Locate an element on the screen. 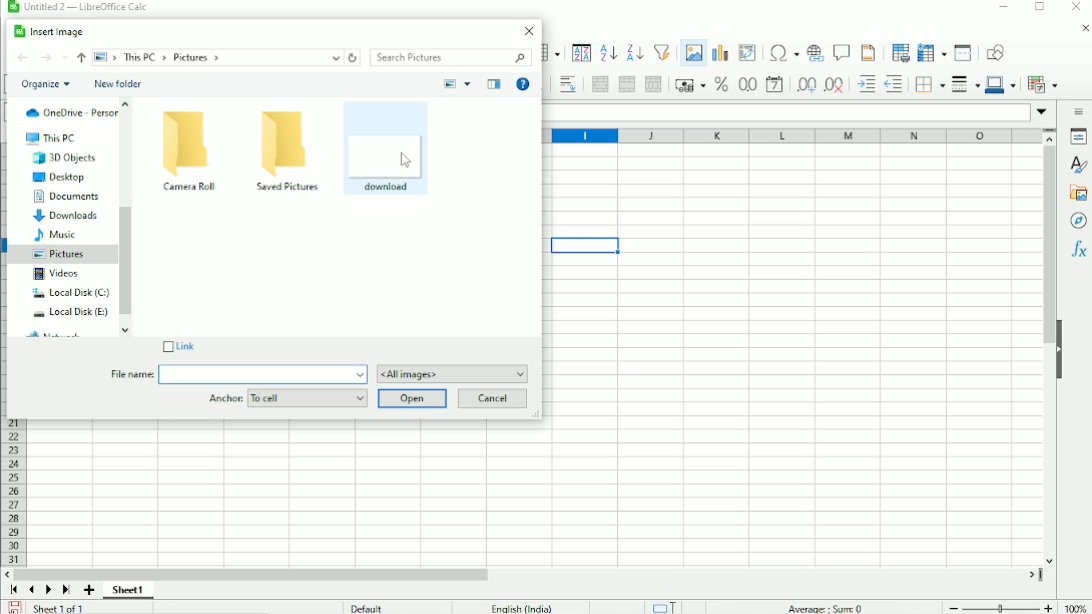 The image size is (1092, 614). Videos is located at coordinates (54, 274).